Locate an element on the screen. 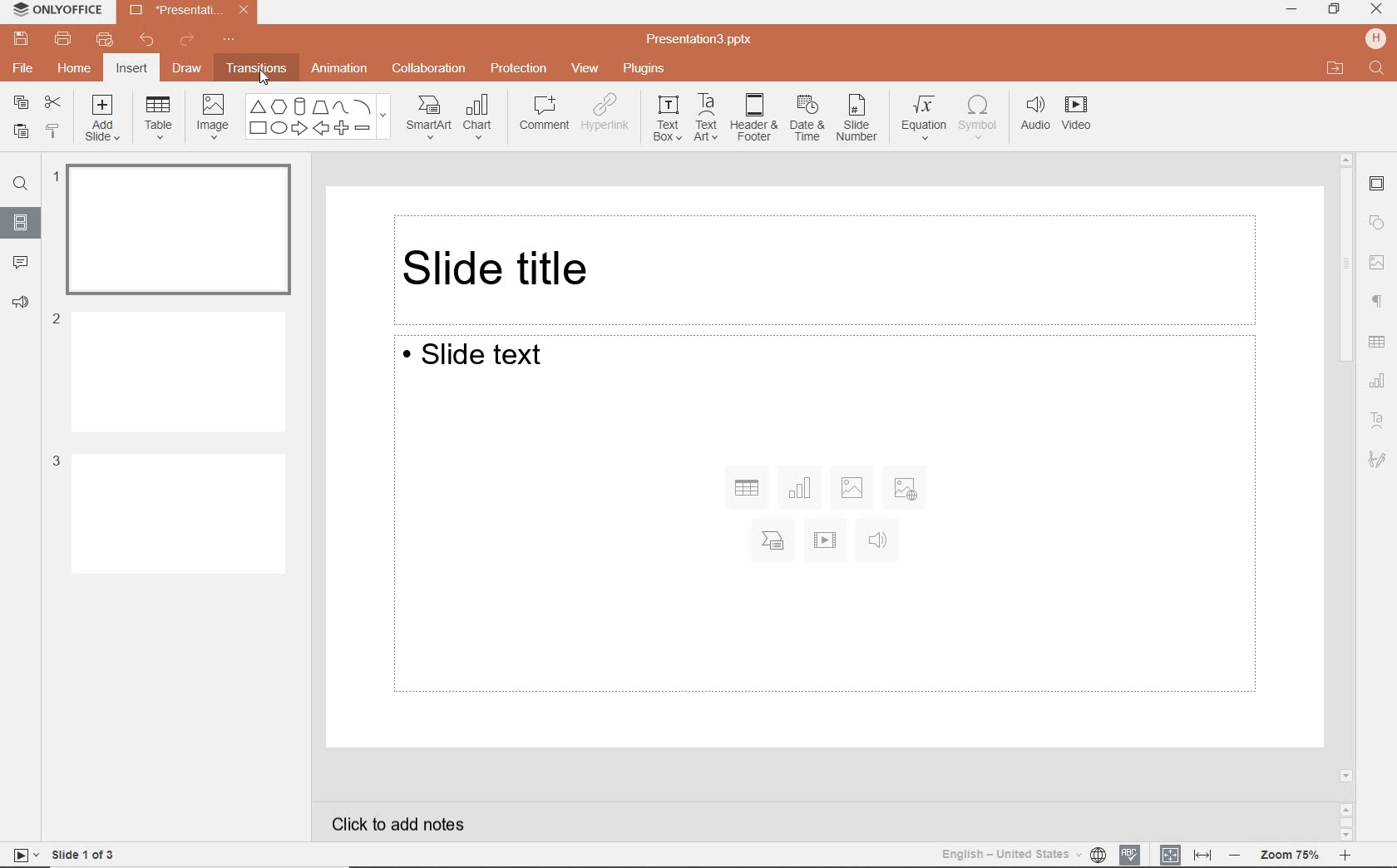 The height and width of the screenshot is (868, 1397). transitions is located at coordinates (255, 70).